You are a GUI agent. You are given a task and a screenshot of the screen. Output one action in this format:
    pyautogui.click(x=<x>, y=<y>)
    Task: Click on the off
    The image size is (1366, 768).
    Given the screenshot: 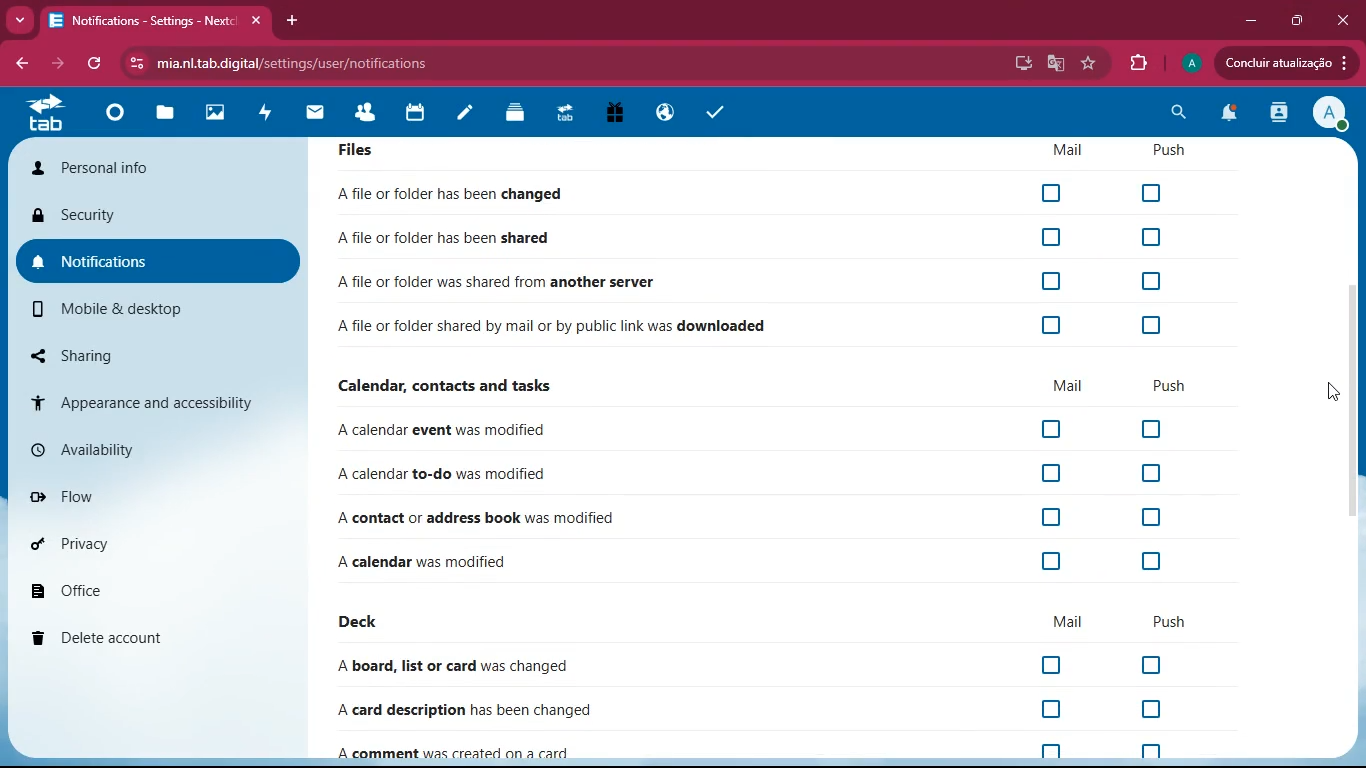 What is the action you would take?
    pyautogui.click(x=1054, y=668)
    